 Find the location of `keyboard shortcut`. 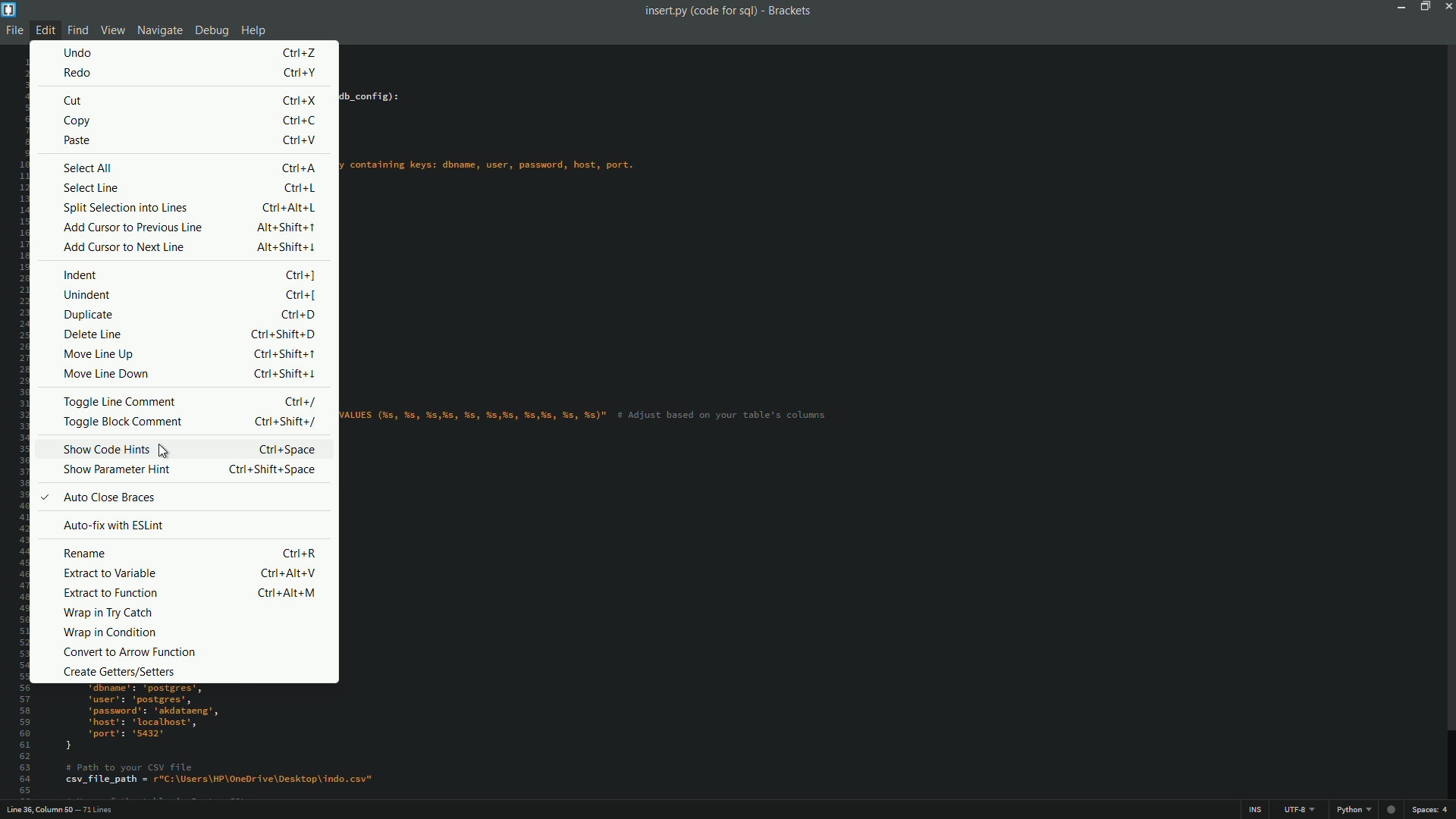

keyboard shortcut is located at coordinates (298, 120).